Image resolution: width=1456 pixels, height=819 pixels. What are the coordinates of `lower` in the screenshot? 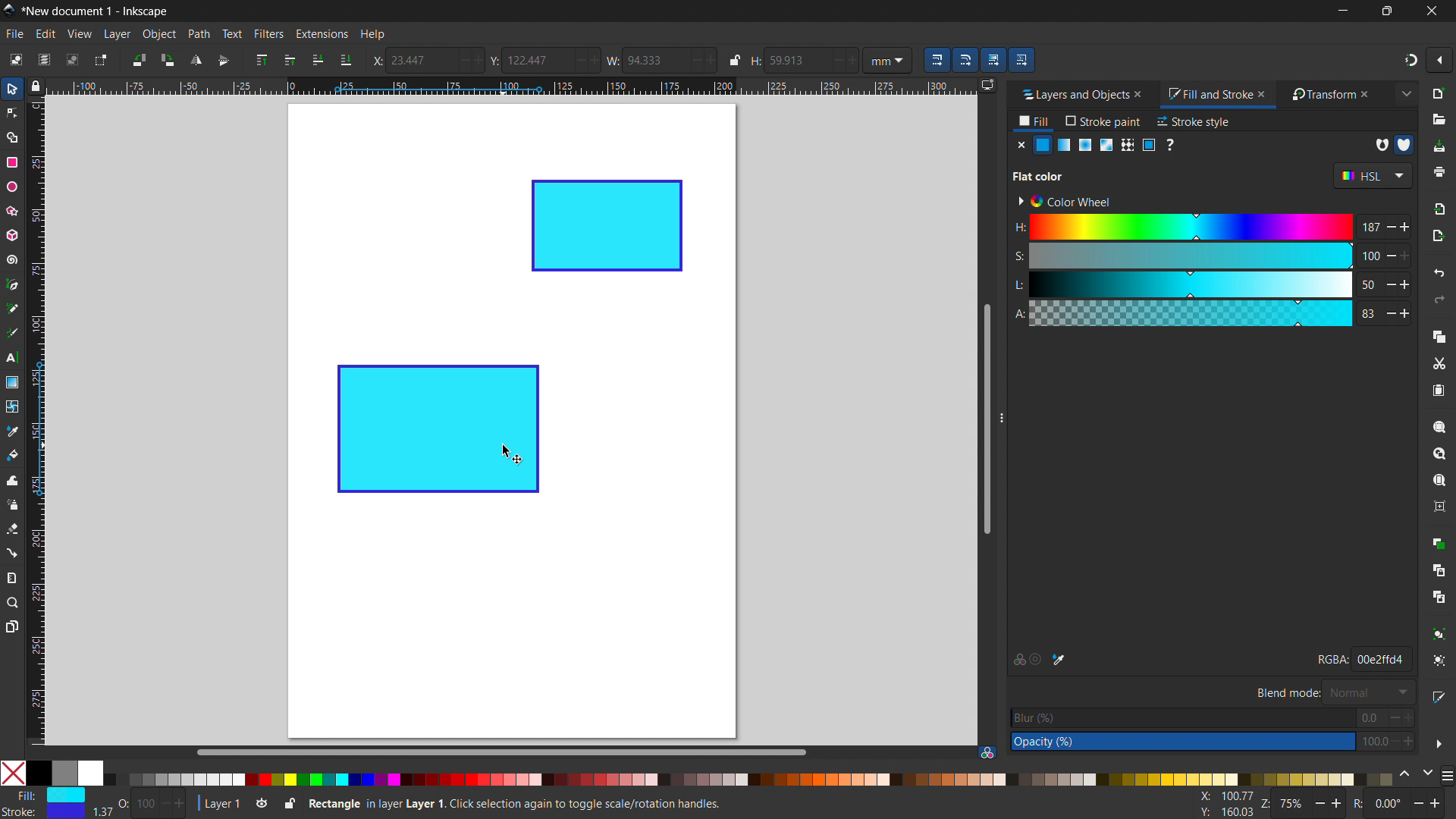 It's located at (318, 59).